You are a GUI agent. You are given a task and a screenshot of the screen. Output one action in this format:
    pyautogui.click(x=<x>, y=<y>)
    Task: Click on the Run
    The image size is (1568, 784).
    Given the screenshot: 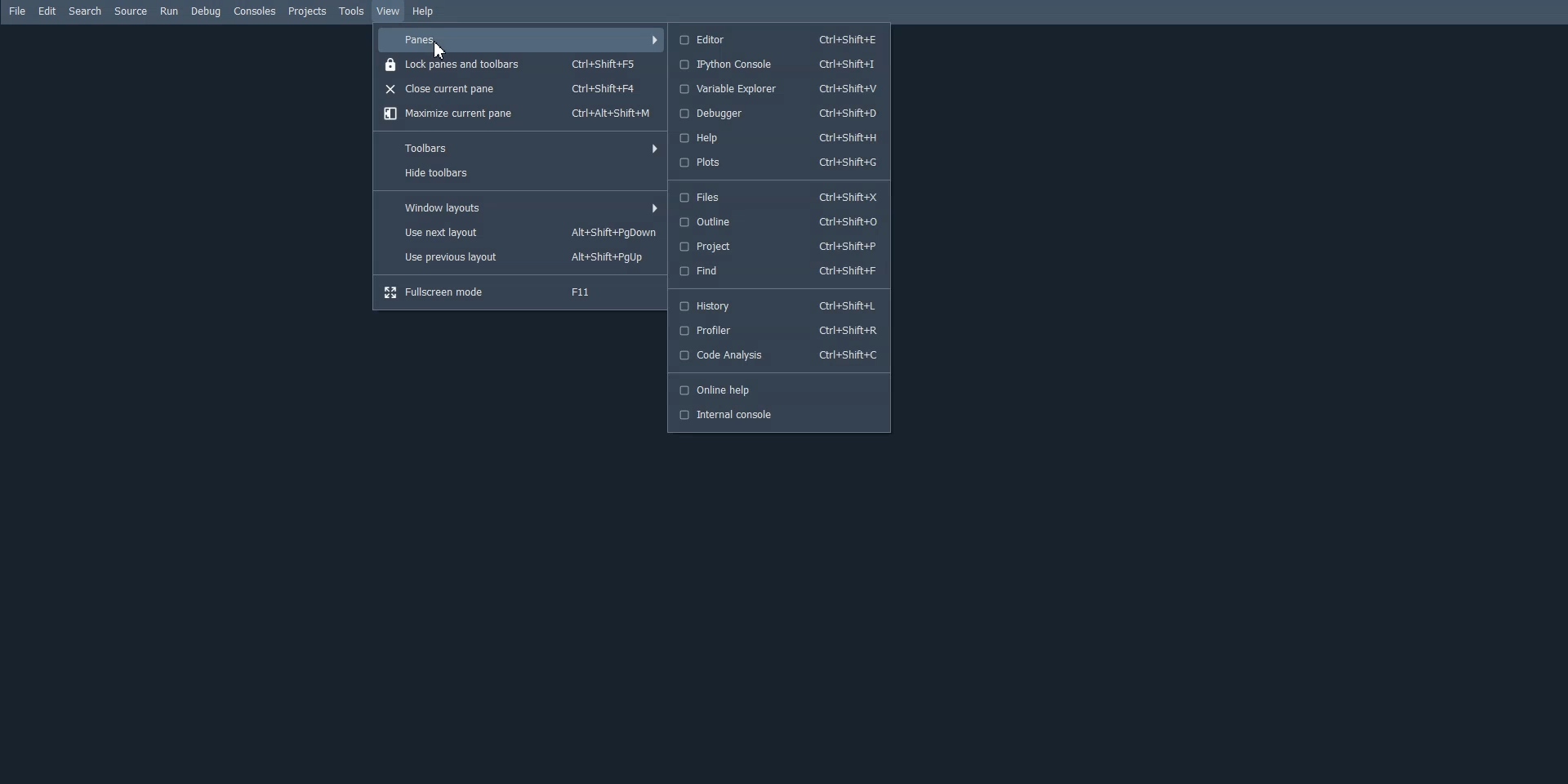 What is the action you would take?
    pyautogui.click(x=168, y=11)
    